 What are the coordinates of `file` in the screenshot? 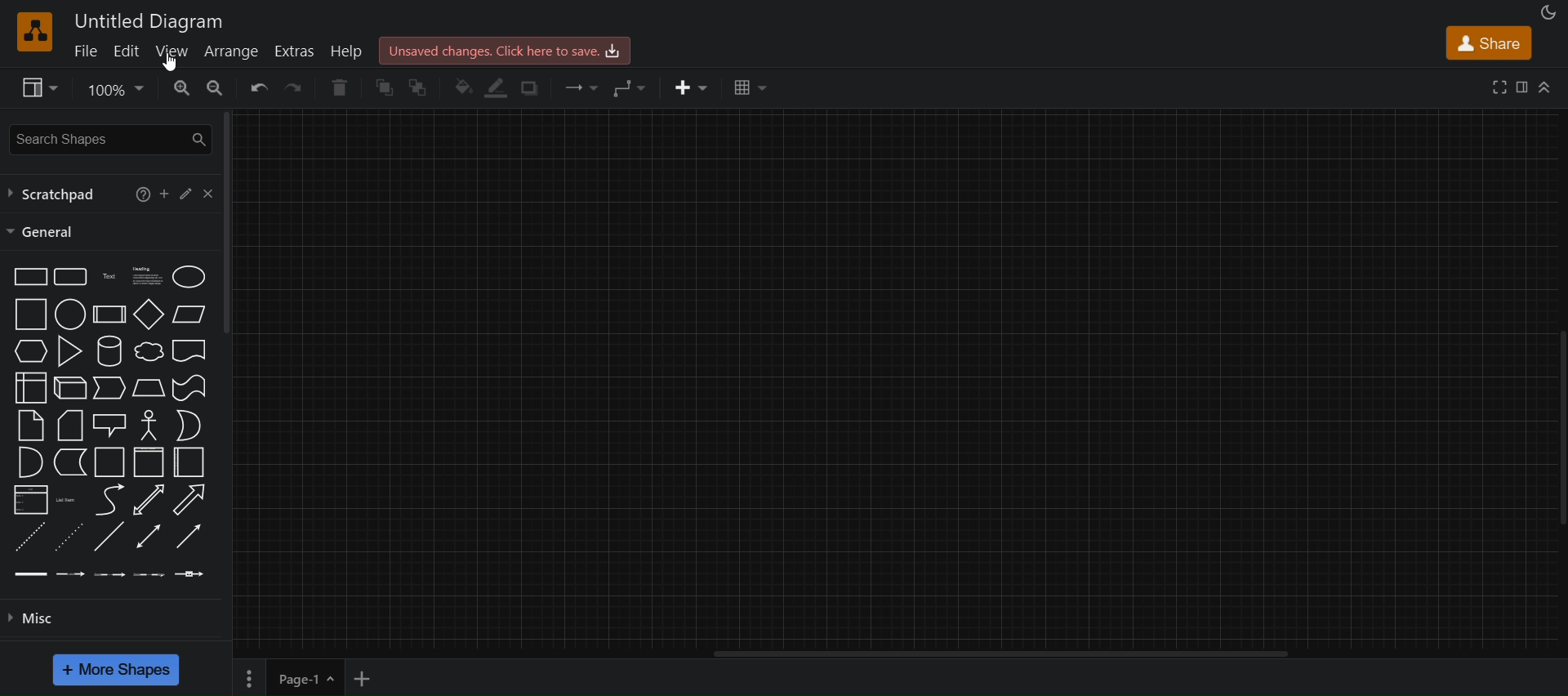 It's located at (88, 52).